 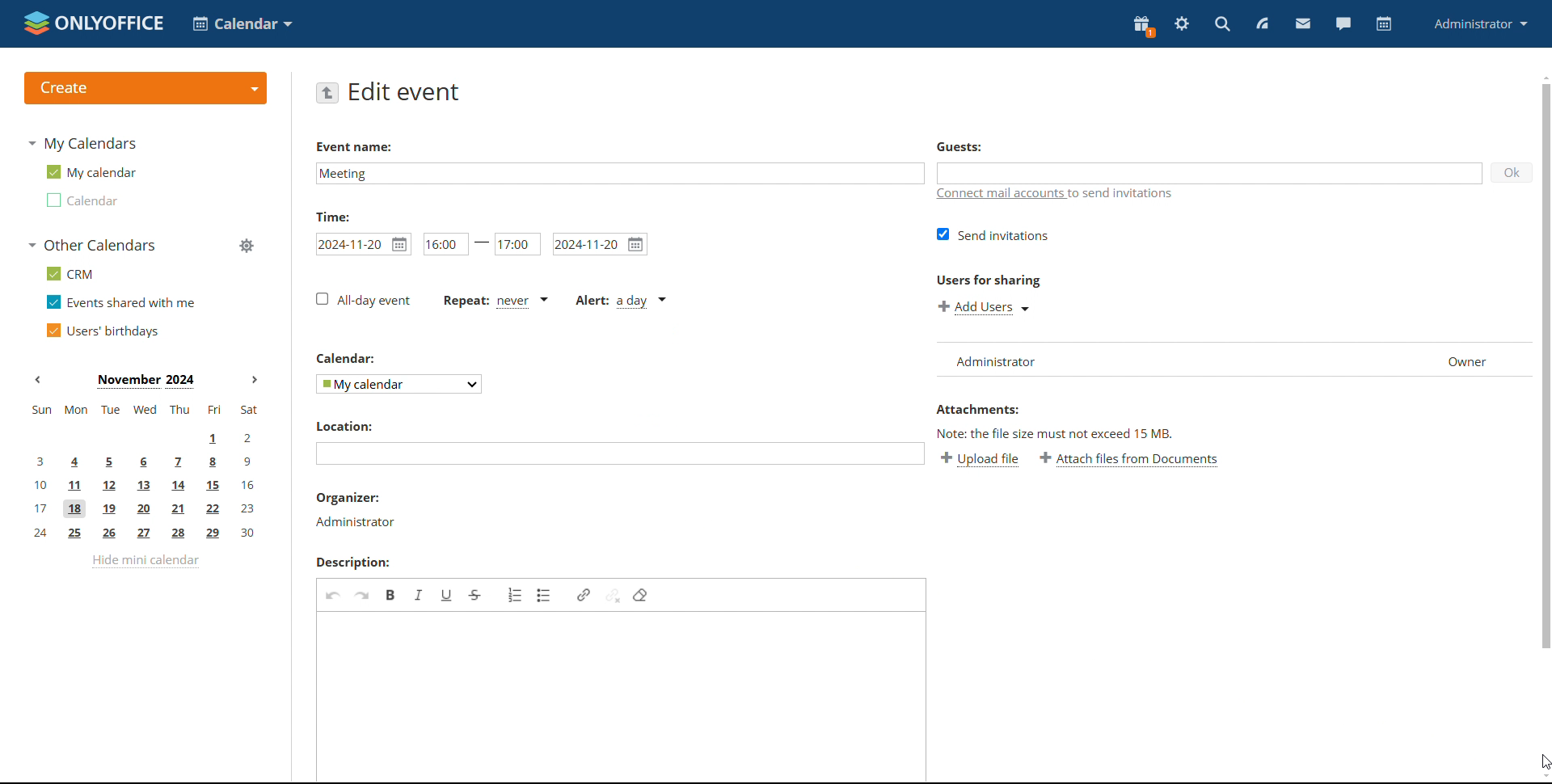 What do you see at coordinates (356, 146) in the screenshot?
I see `Event name` at bounding box center [356, 146].